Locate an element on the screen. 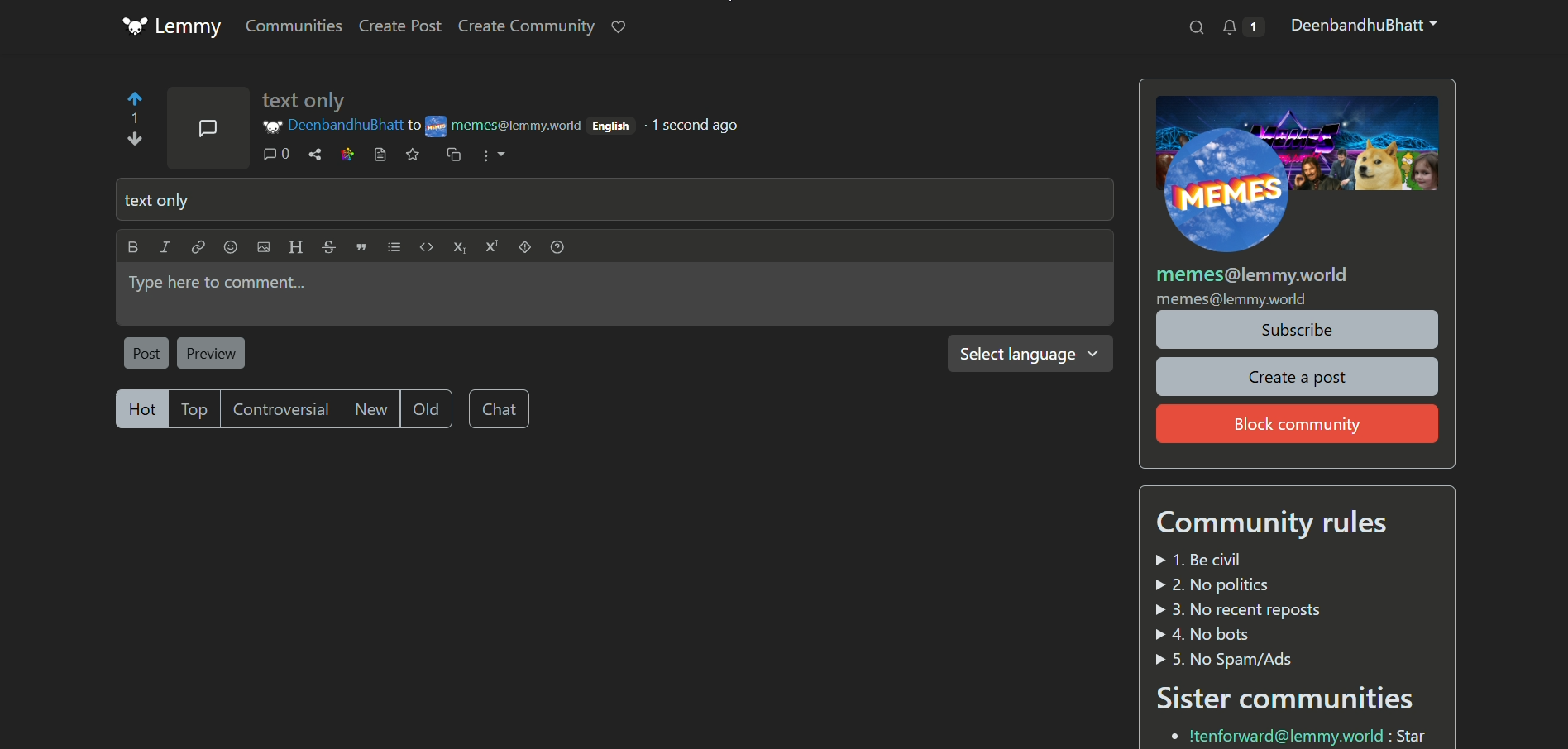 Image resolution: width=1568 pixels, height=749 pixels. save is located at coordinates (414, 154).